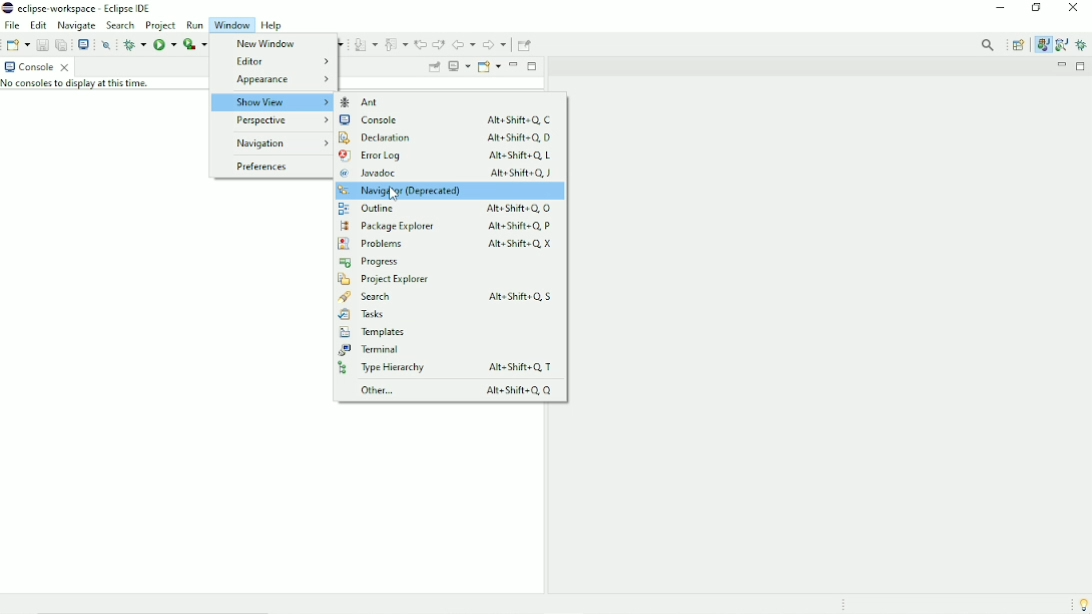 The width and height of the screenshot is (1092, 614). I want to click on Preferences, so click(260, 168).